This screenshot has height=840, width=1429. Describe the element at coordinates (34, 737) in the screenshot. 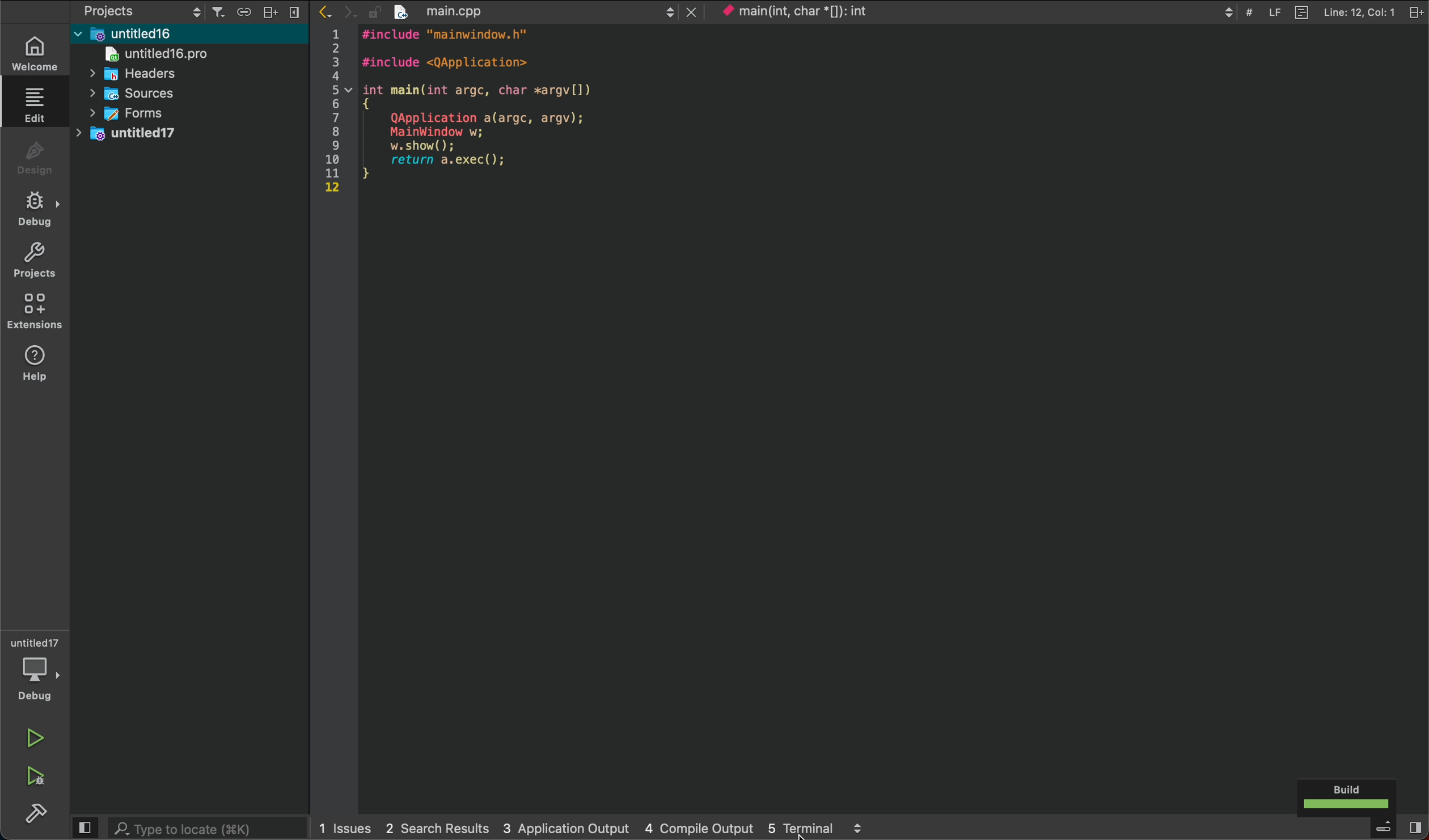

I see `run` at that location.